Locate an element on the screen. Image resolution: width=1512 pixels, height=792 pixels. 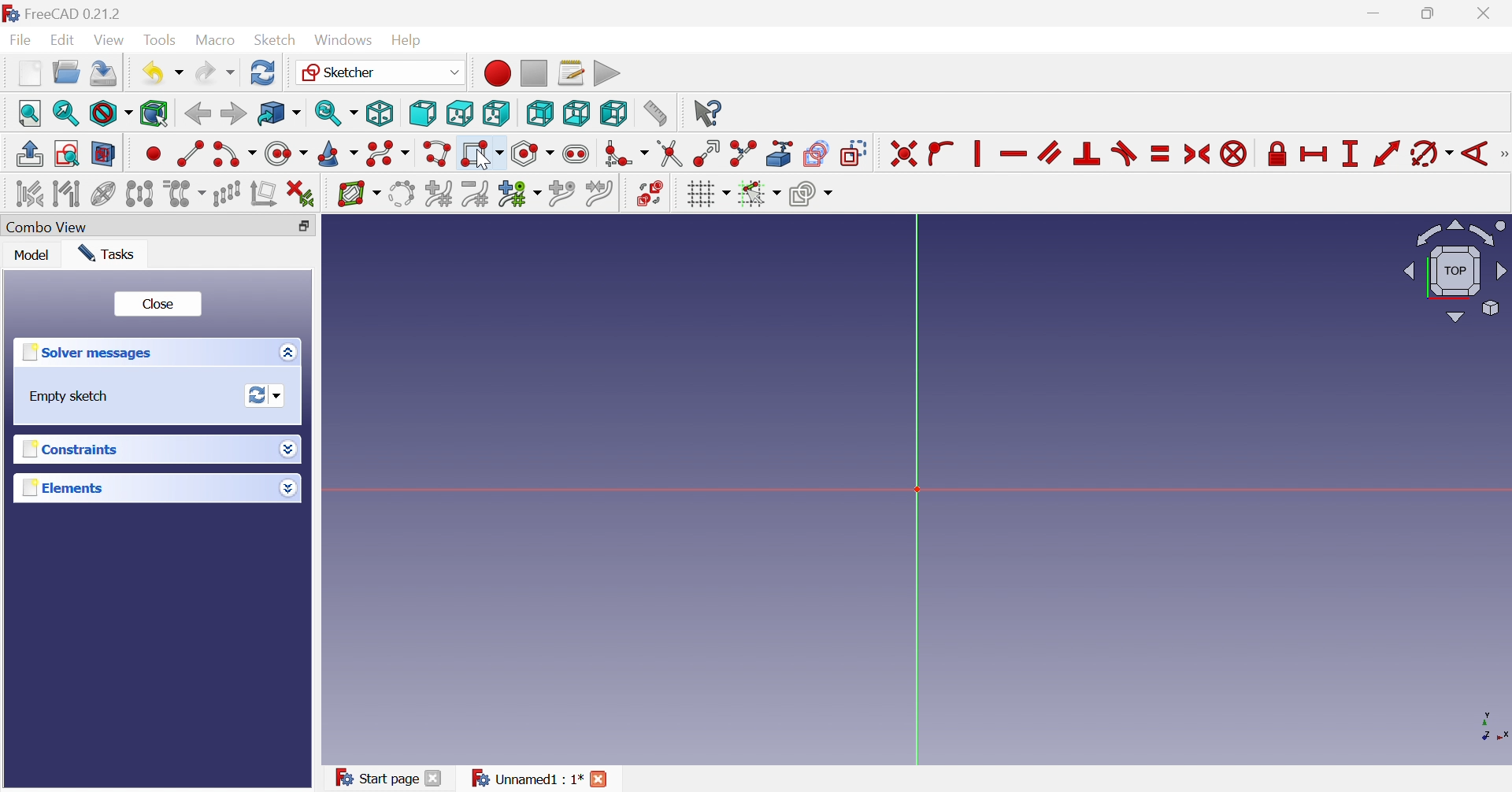
Solver messages is located at coordinates (85, 353).